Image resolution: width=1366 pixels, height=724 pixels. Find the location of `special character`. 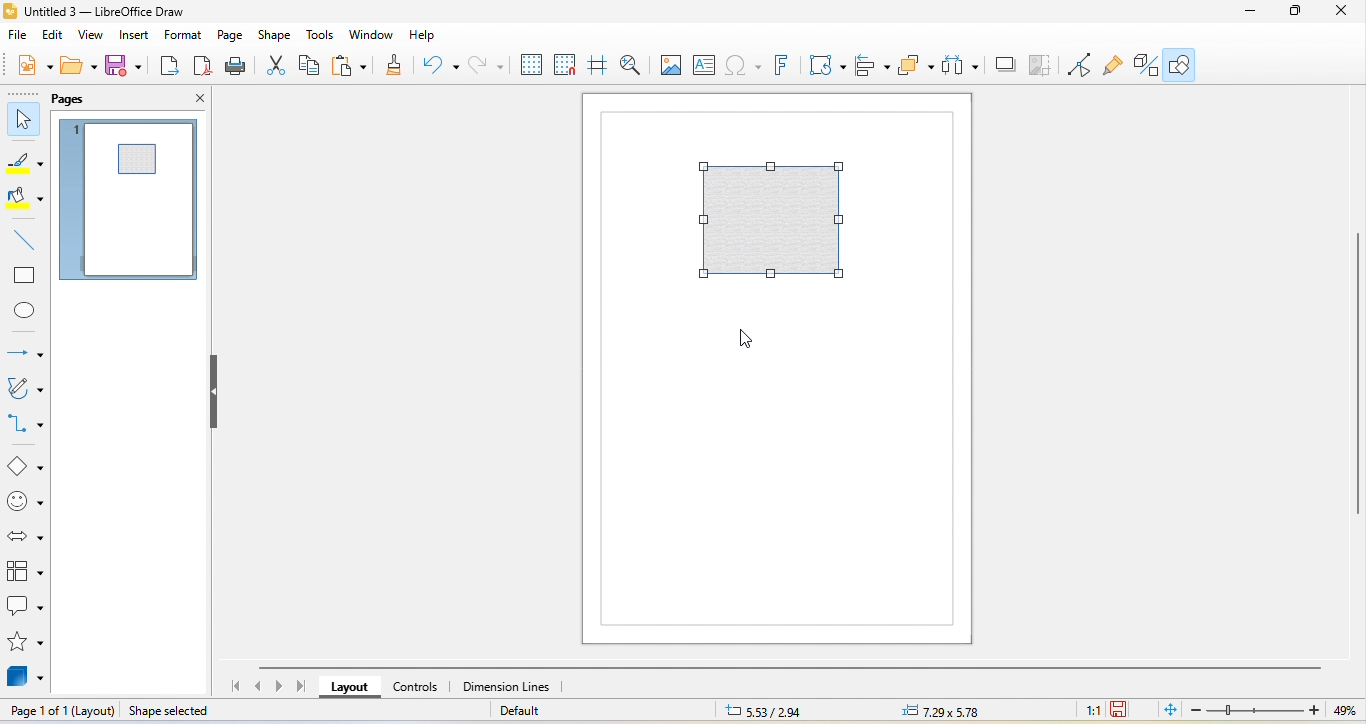

special character is located at coordinates (744, 66).